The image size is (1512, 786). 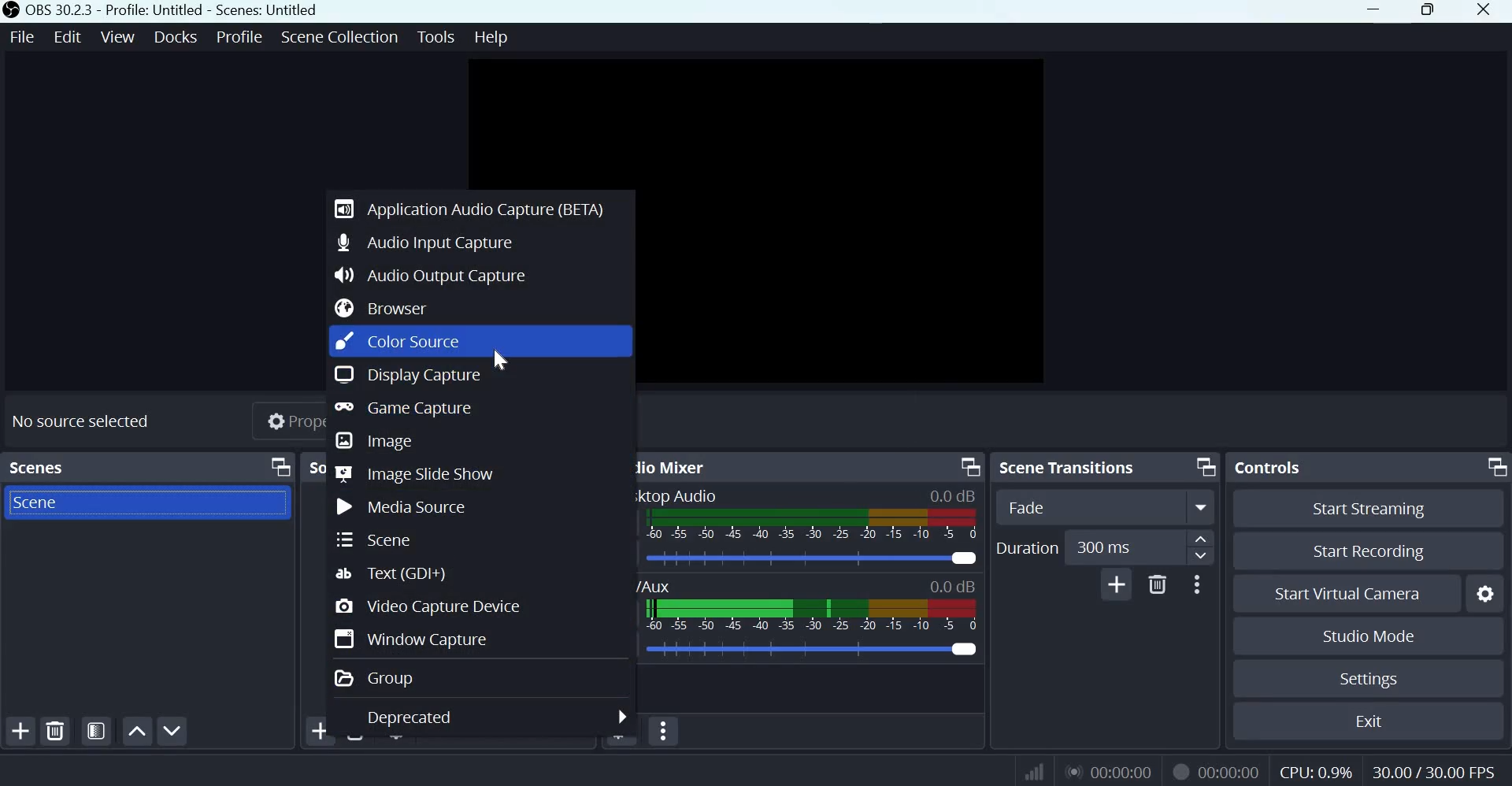 What do you see at coordinates (1140, 548) in the screenshot?
I see `Duration Input` at bounding box center [1140, 548].